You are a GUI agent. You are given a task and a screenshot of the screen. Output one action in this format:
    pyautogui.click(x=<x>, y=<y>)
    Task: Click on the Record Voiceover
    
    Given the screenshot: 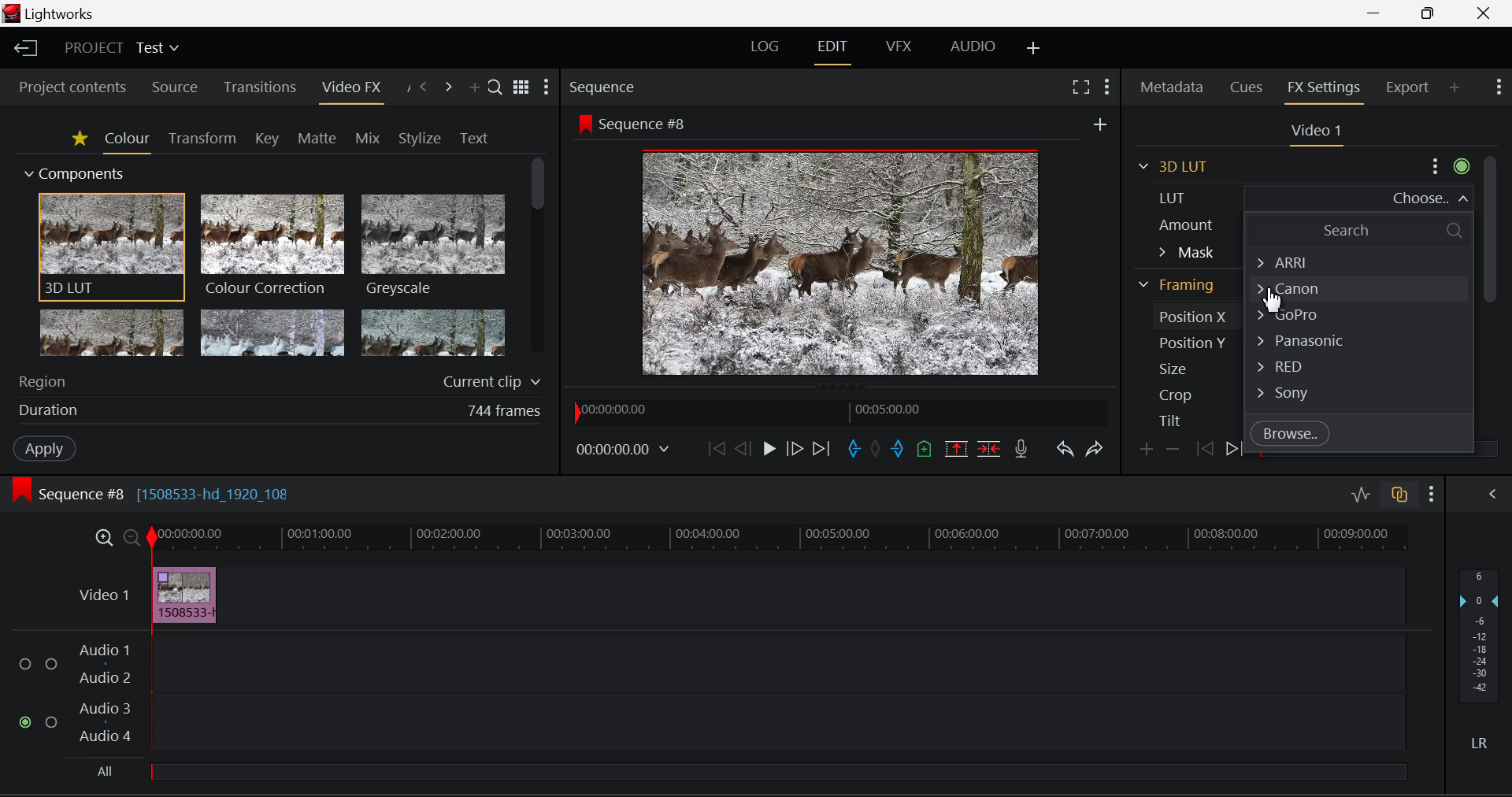 What is the action you would take?
    pyautogui.click(x=1021, y=449)
    